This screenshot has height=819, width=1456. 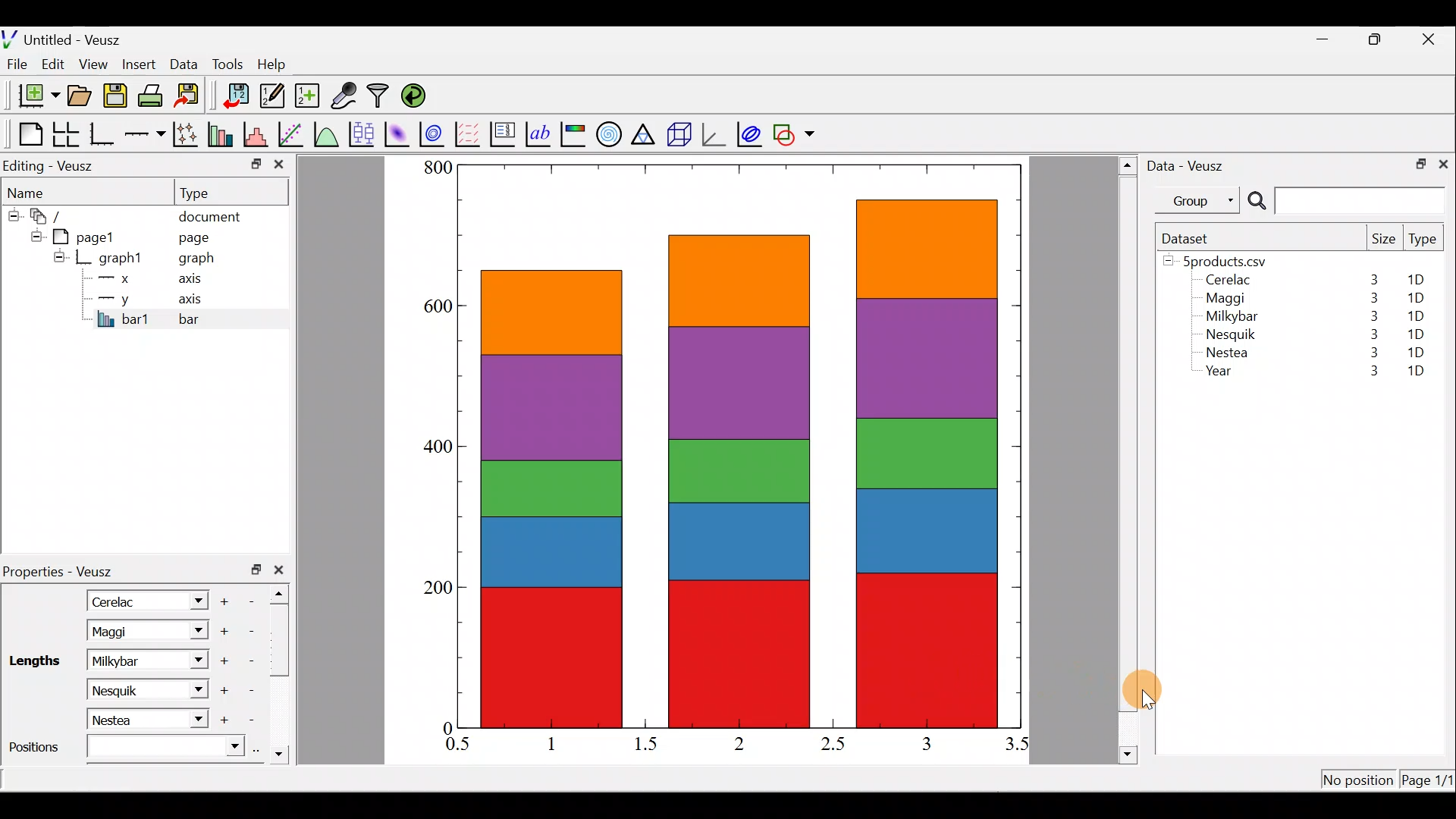 I want to click on Nesquik, so click(x=129, y=689).